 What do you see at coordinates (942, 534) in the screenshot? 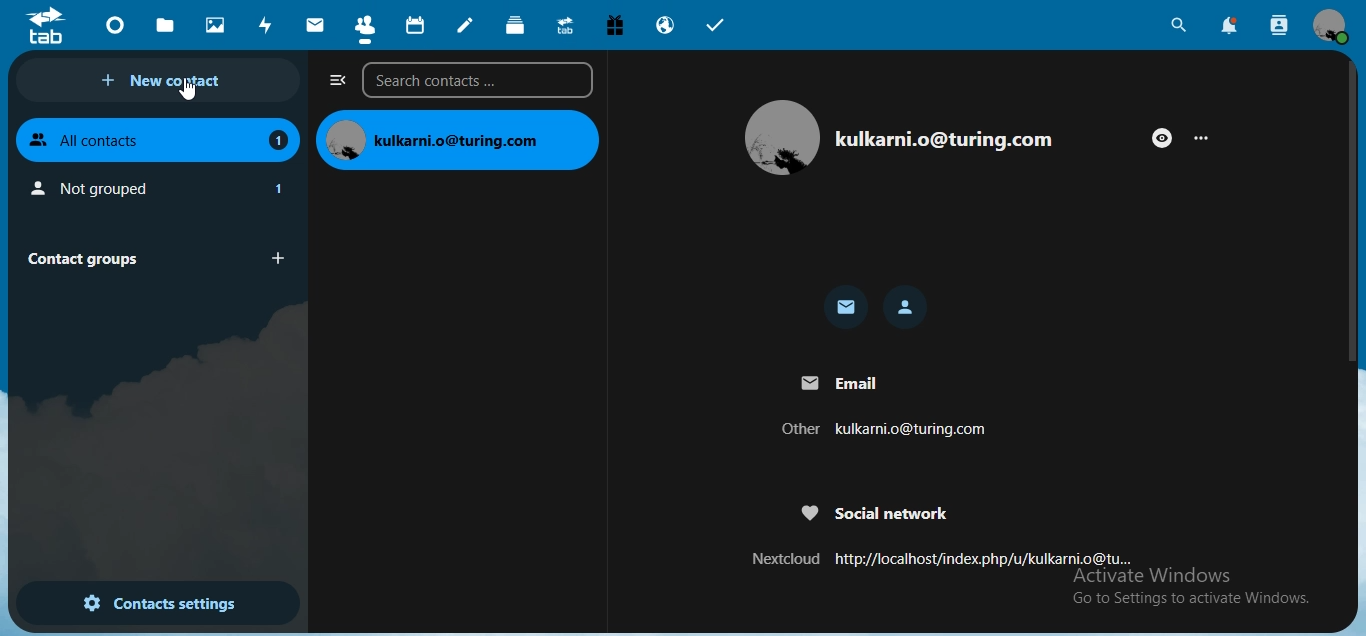
I see `social network` at bounding box center [942, 534].